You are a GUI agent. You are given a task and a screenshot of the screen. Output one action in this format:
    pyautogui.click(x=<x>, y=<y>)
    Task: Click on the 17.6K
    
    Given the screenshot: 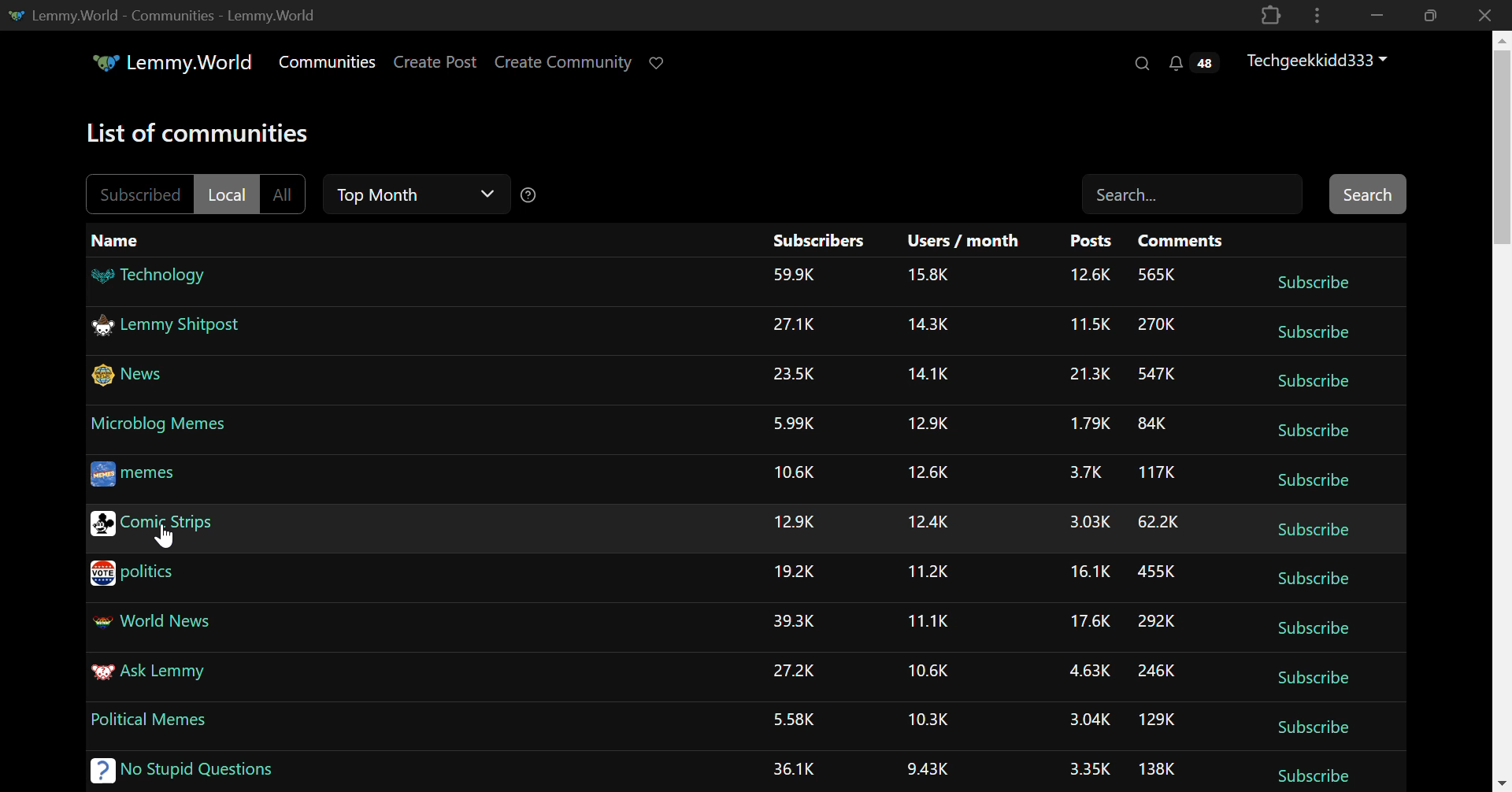 What is the action you would take?
    pyautogui.click(x=1091, y=622)
    